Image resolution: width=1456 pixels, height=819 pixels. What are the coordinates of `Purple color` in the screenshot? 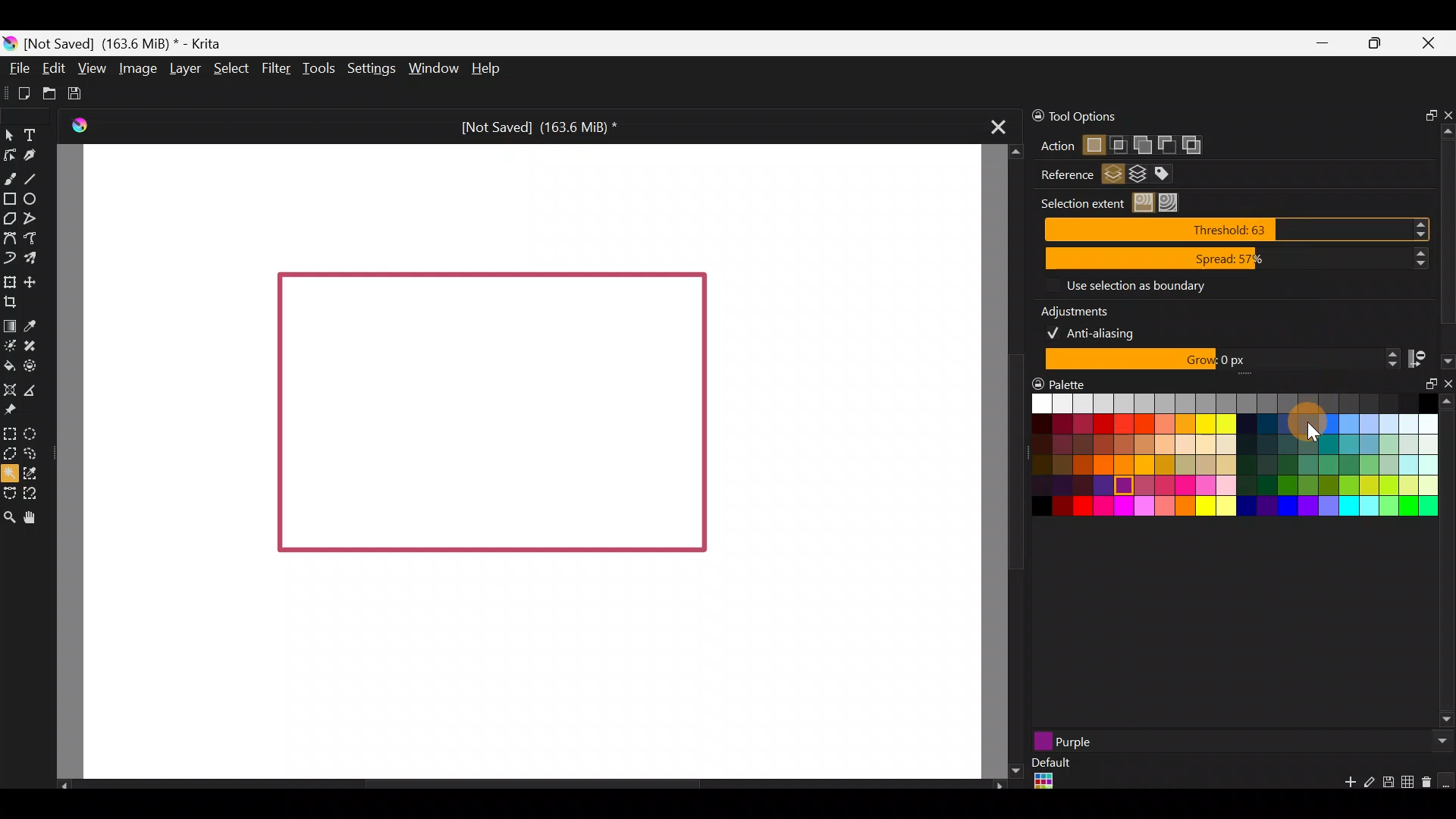 It's located at (1159, 741).